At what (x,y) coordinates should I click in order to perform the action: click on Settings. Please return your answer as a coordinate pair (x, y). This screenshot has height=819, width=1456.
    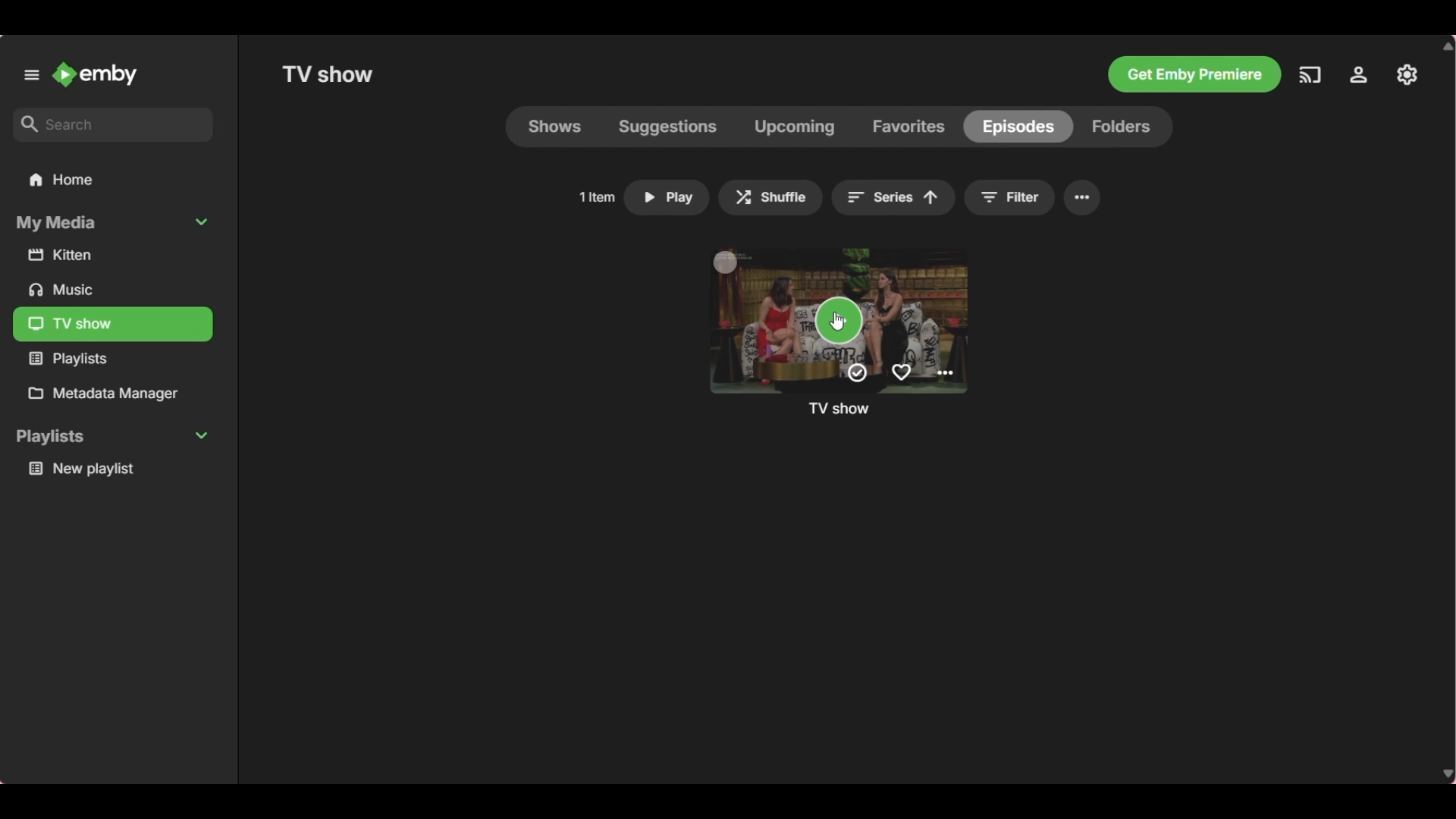
    Looking at the image, I should click on (1088, 197).